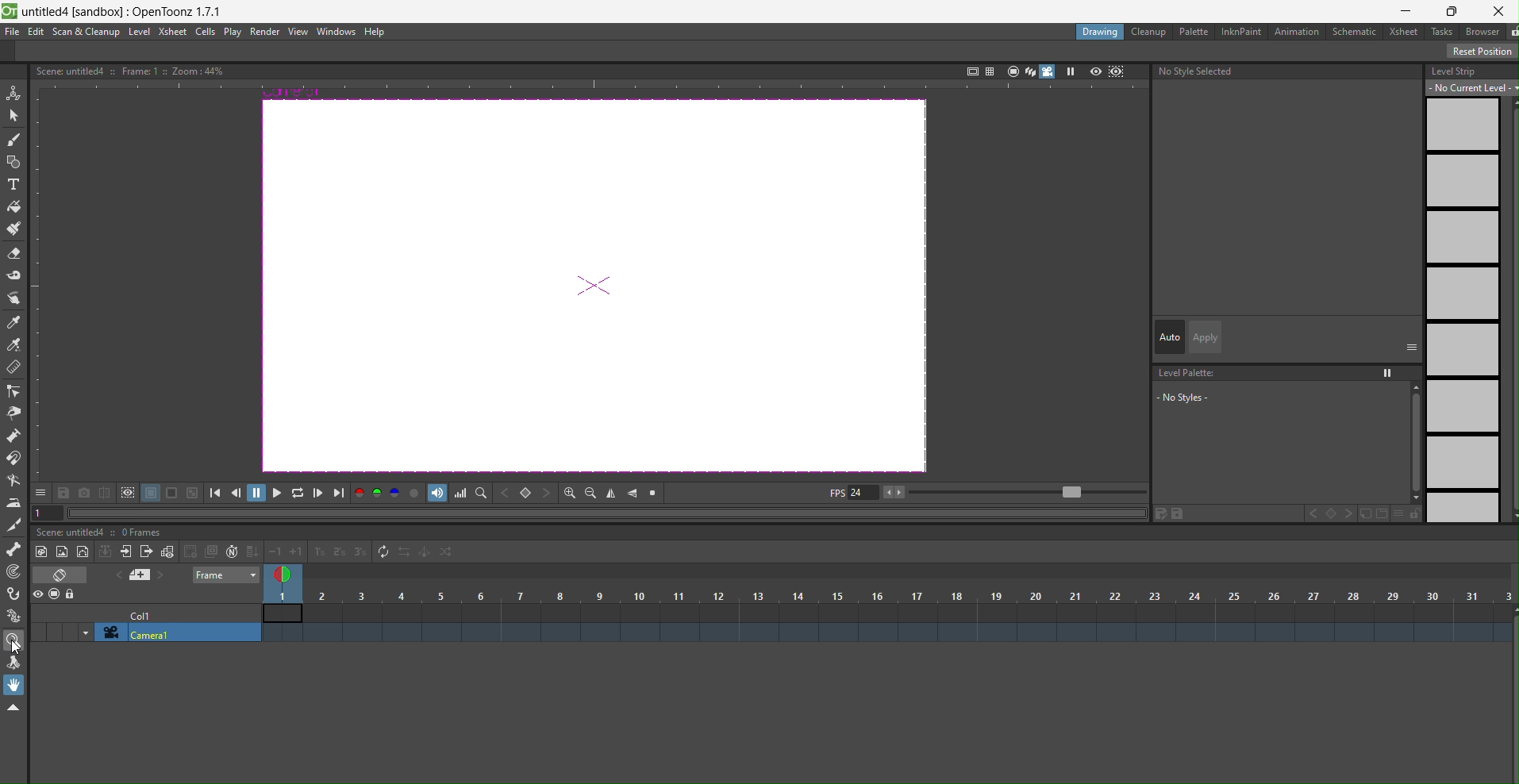 Image resolution: width=1519 pixels, height=784 pixels. Describe the element at coordinates (14, 525) in the screenshot. I see `cutter tool` at that location.